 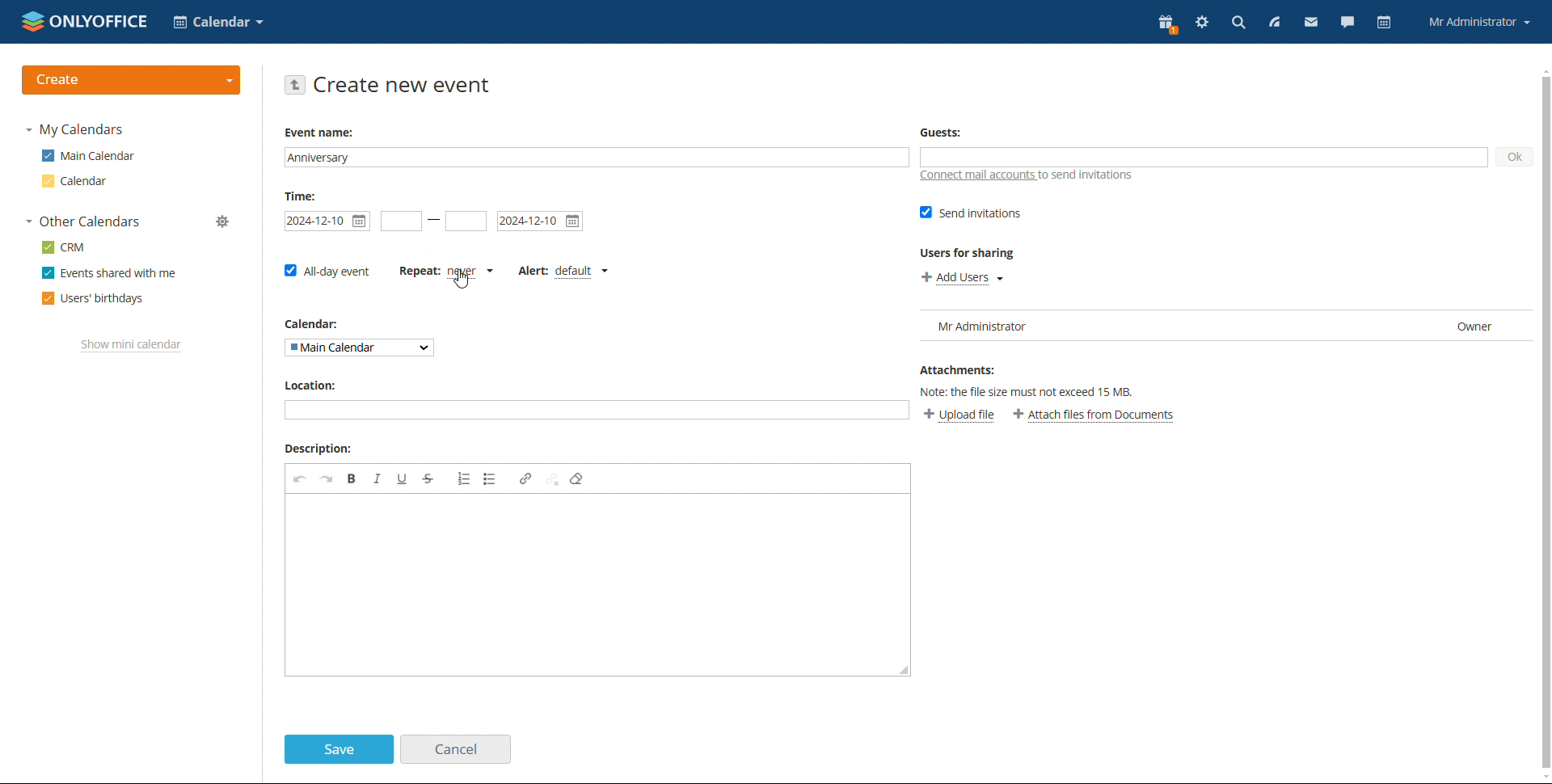 What do you see at coordinates (1224, 325) in the screenshot?
I see `user list` at bounding box center [1224, 325].